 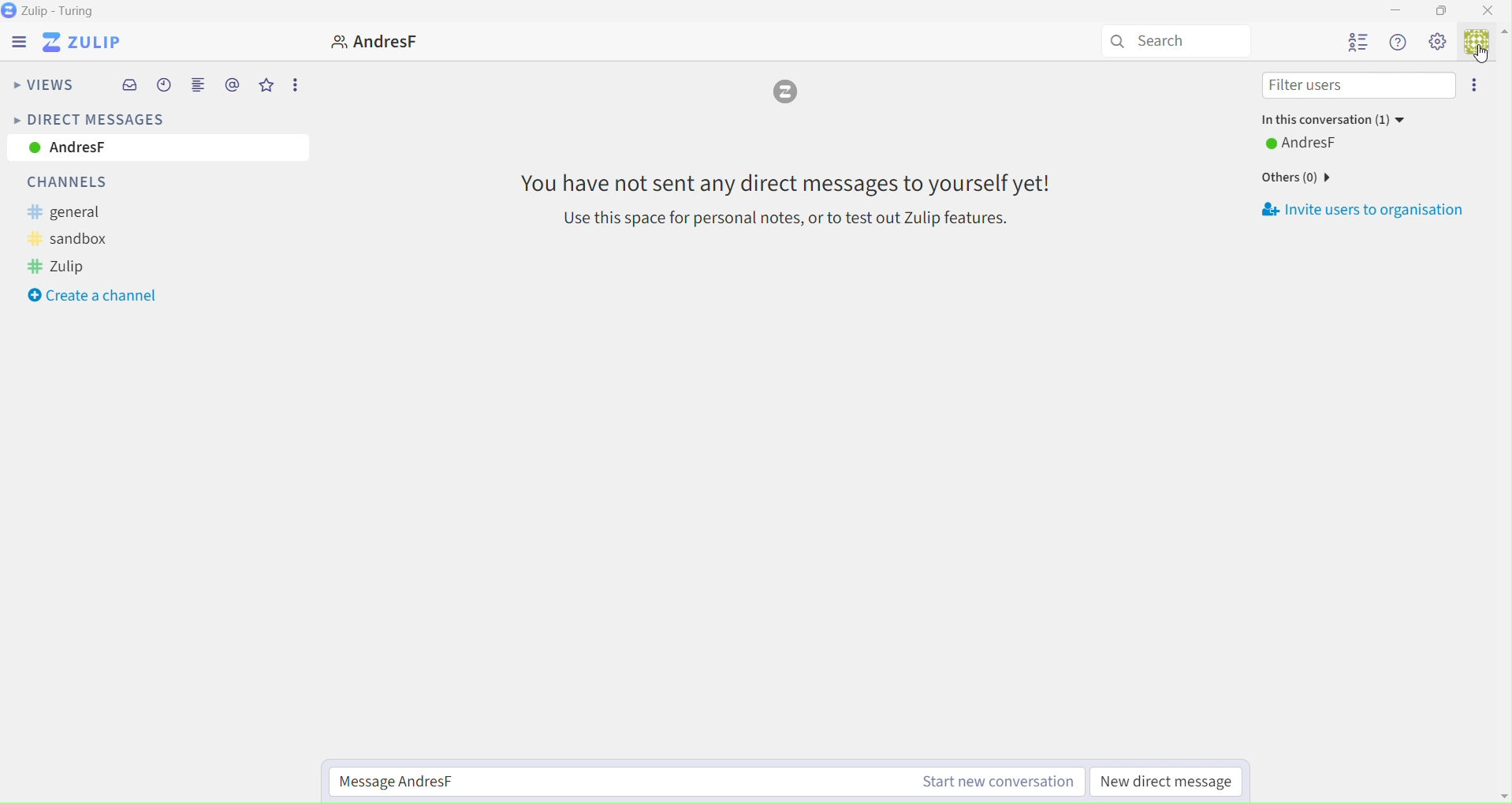 What do you see at coordinates (1353, 87) in the screenshot?
I see `Filter Users` at bounding box center [1353, 87].